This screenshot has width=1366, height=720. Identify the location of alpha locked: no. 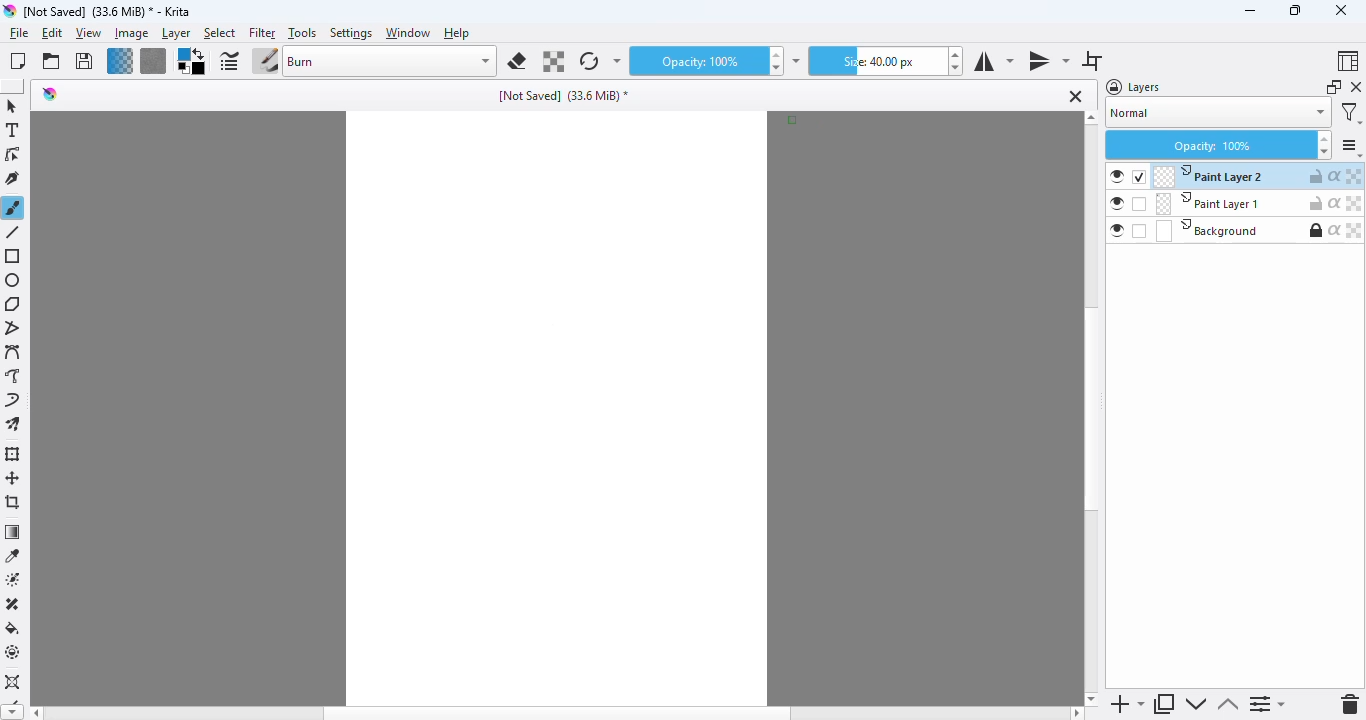
(1355, 176).